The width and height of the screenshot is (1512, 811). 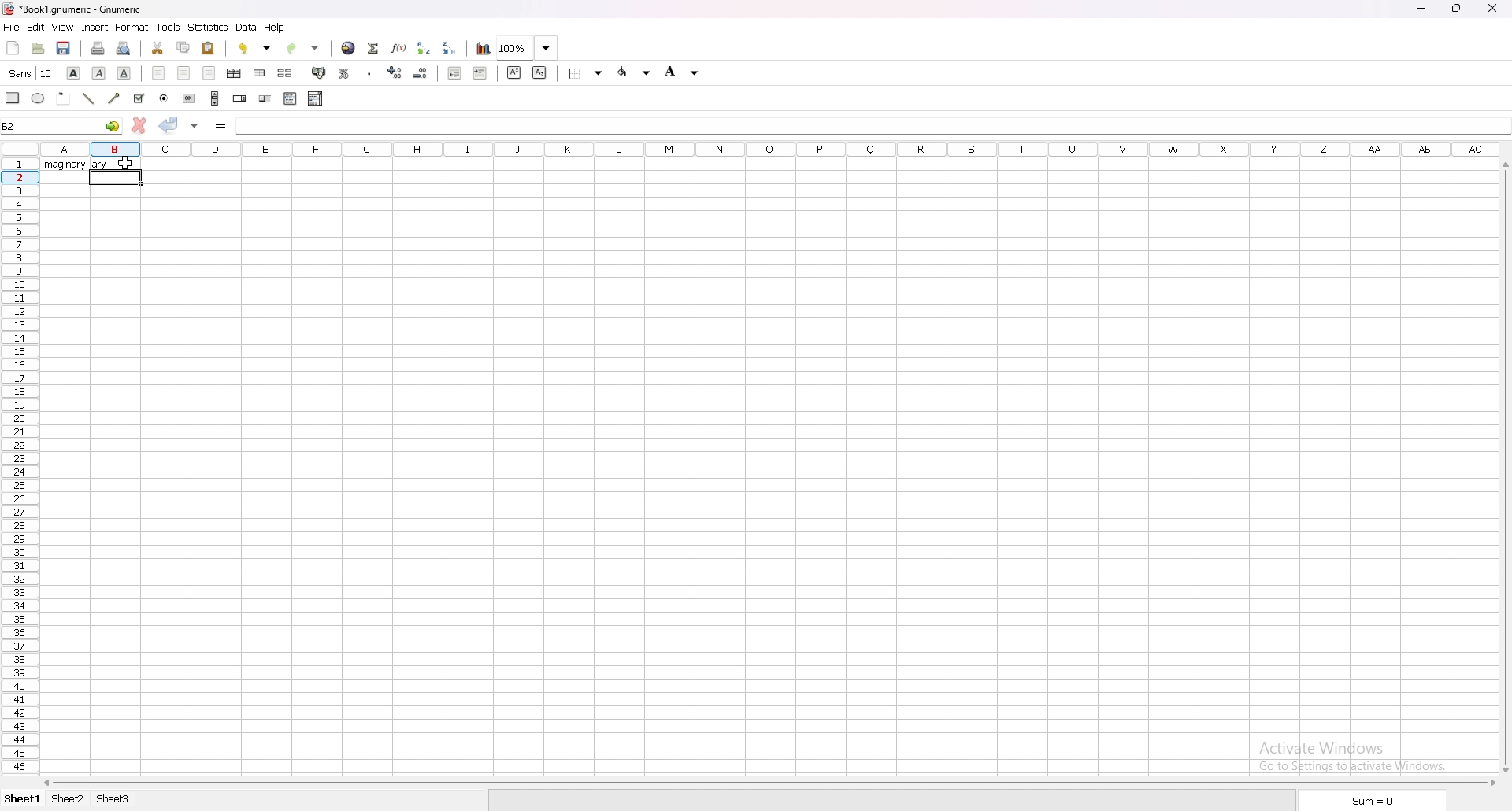 What do you see at coordinates (1368, 801) in the screenshot?
I see `sum` at bounding box center [1368, 801].